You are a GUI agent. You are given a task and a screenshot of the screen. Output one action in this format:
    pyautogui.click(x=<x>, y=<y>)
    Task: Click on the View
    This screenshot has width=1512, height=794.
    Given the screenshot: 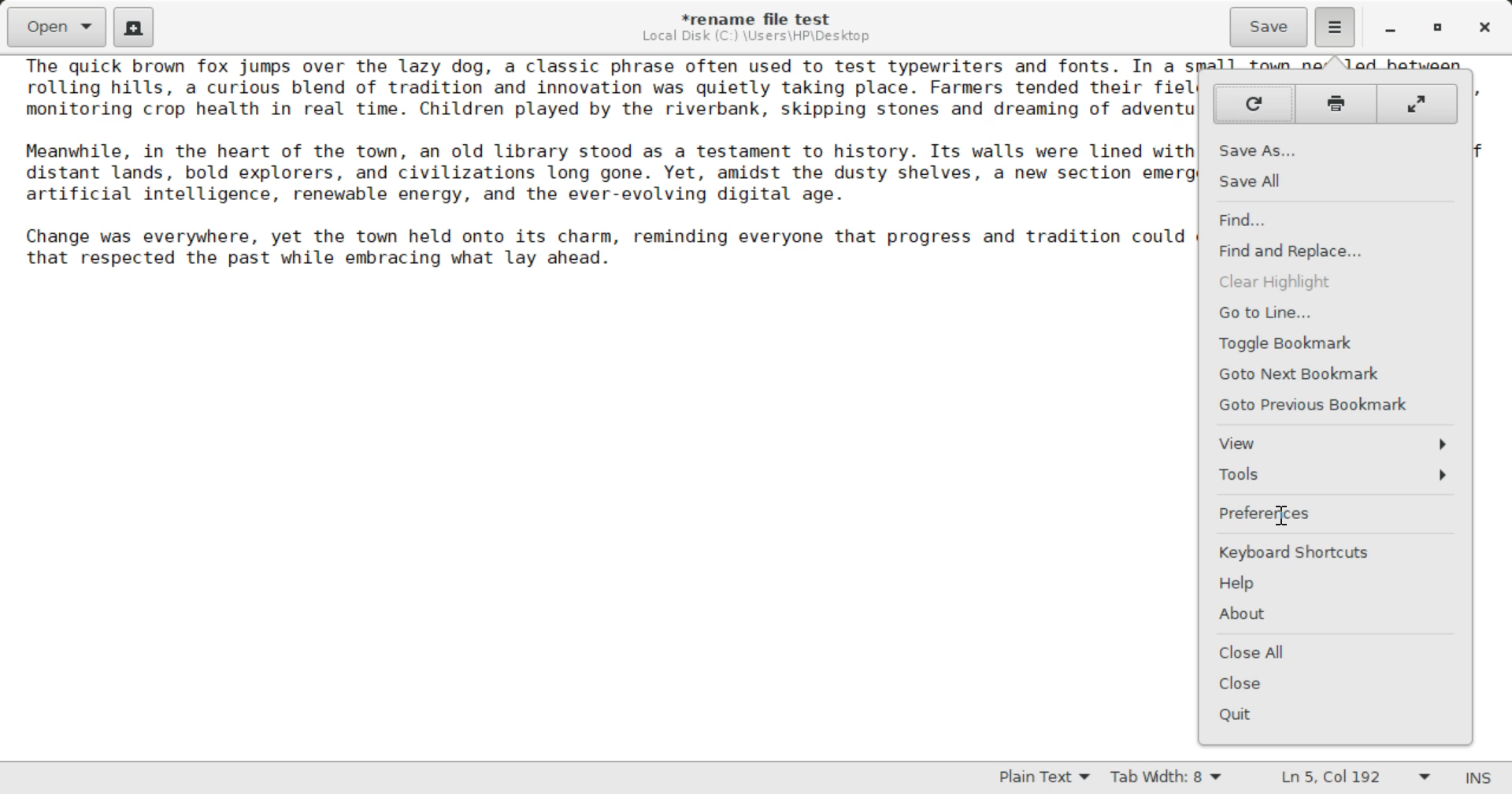 What is the action you would take?
    pyautogui.click(x=1337, y=443)
    